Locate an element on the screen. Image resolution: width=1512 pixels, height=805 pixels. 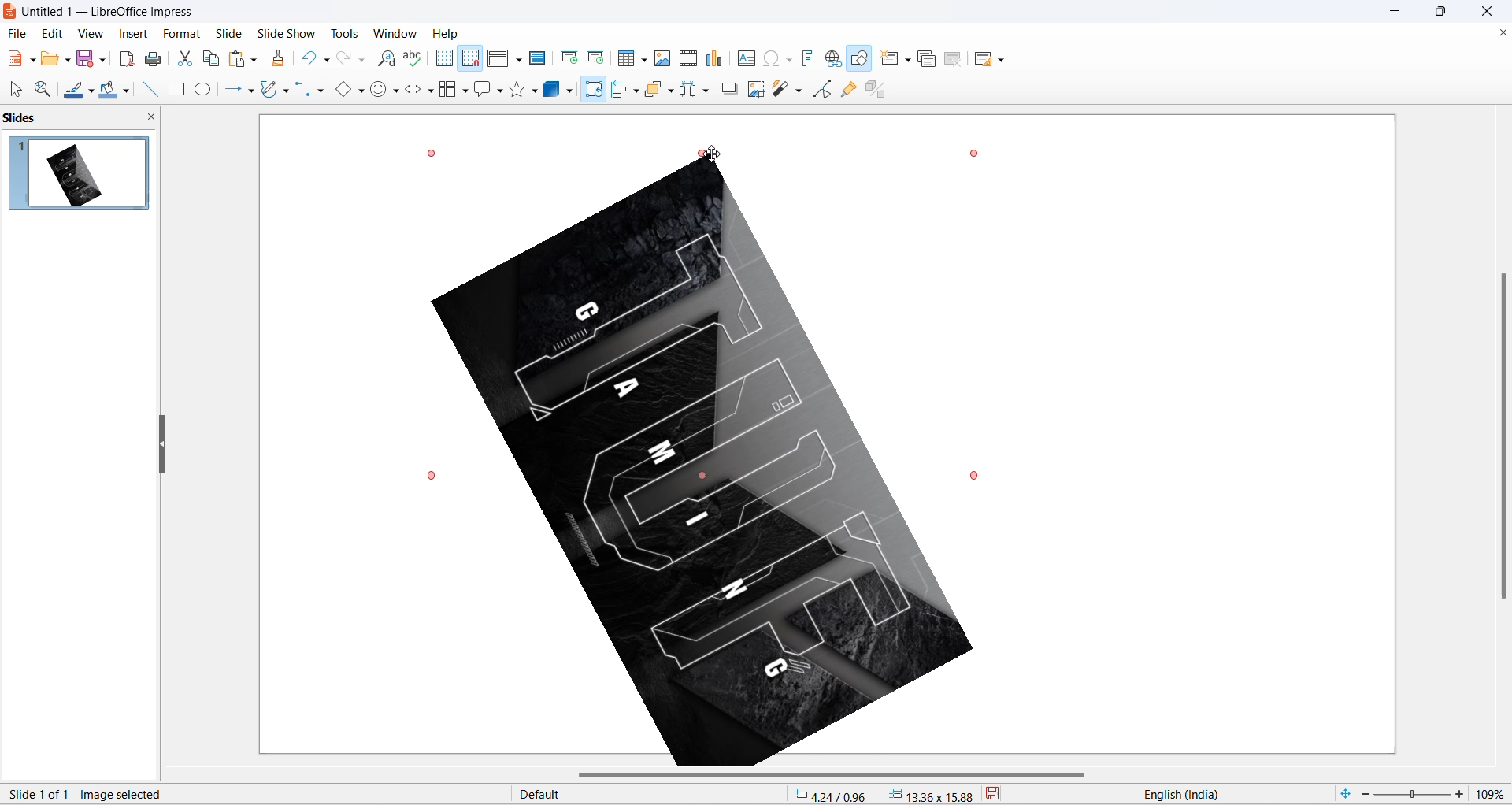
fill color options is located at coordinates (125, 92).